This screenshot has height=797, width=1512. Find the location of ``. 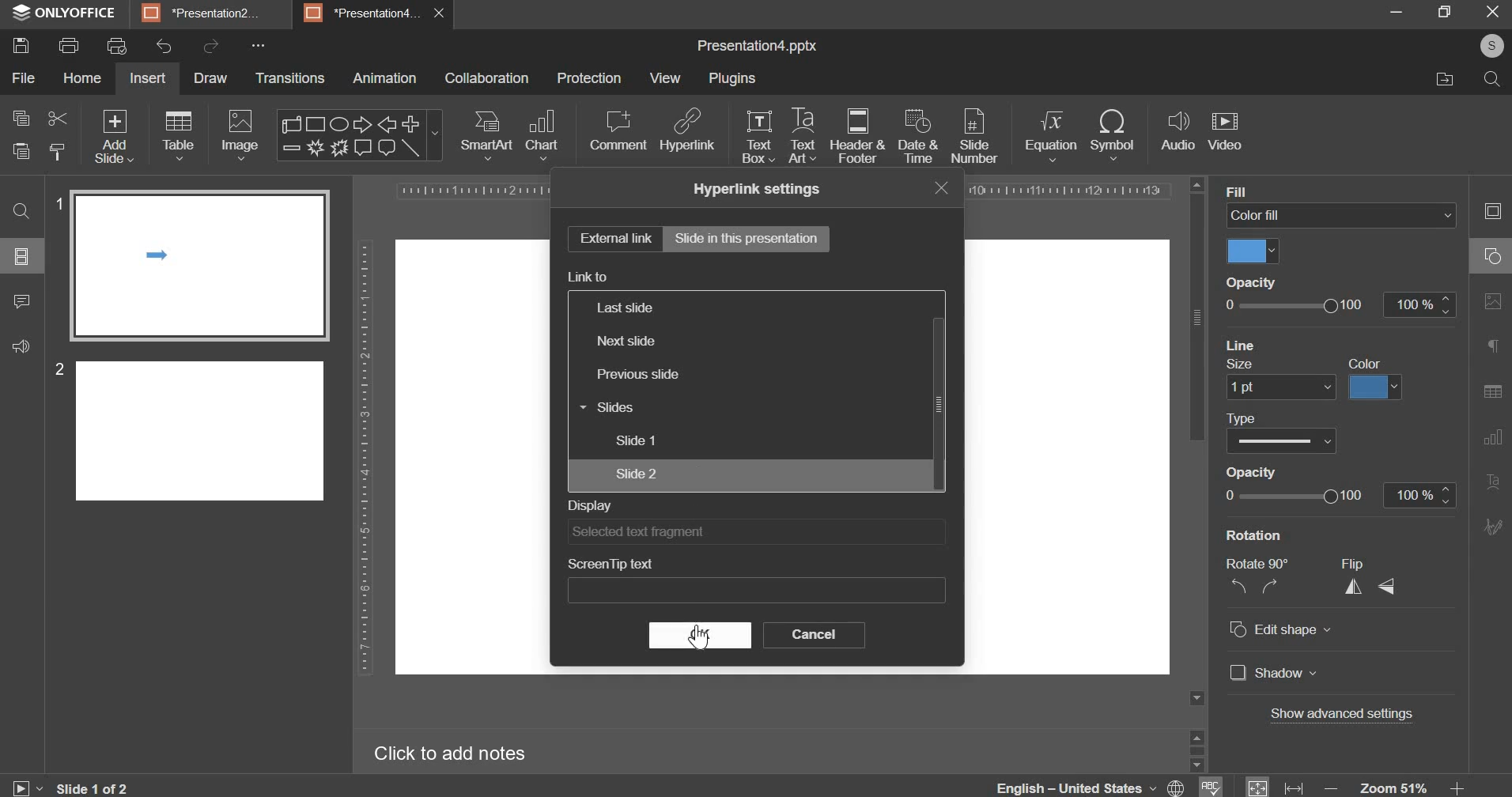

 is located at coordinates (1383, 387).